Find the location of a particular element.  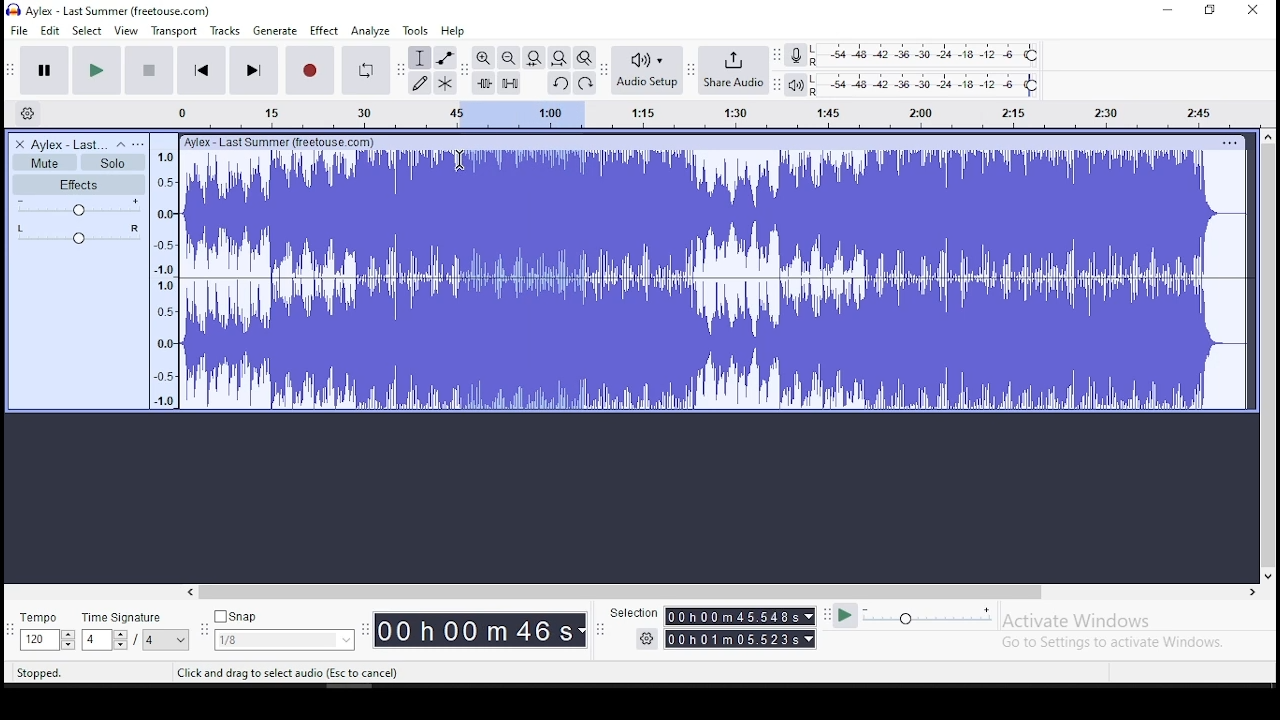

effects is located at coordinates (77, 185).